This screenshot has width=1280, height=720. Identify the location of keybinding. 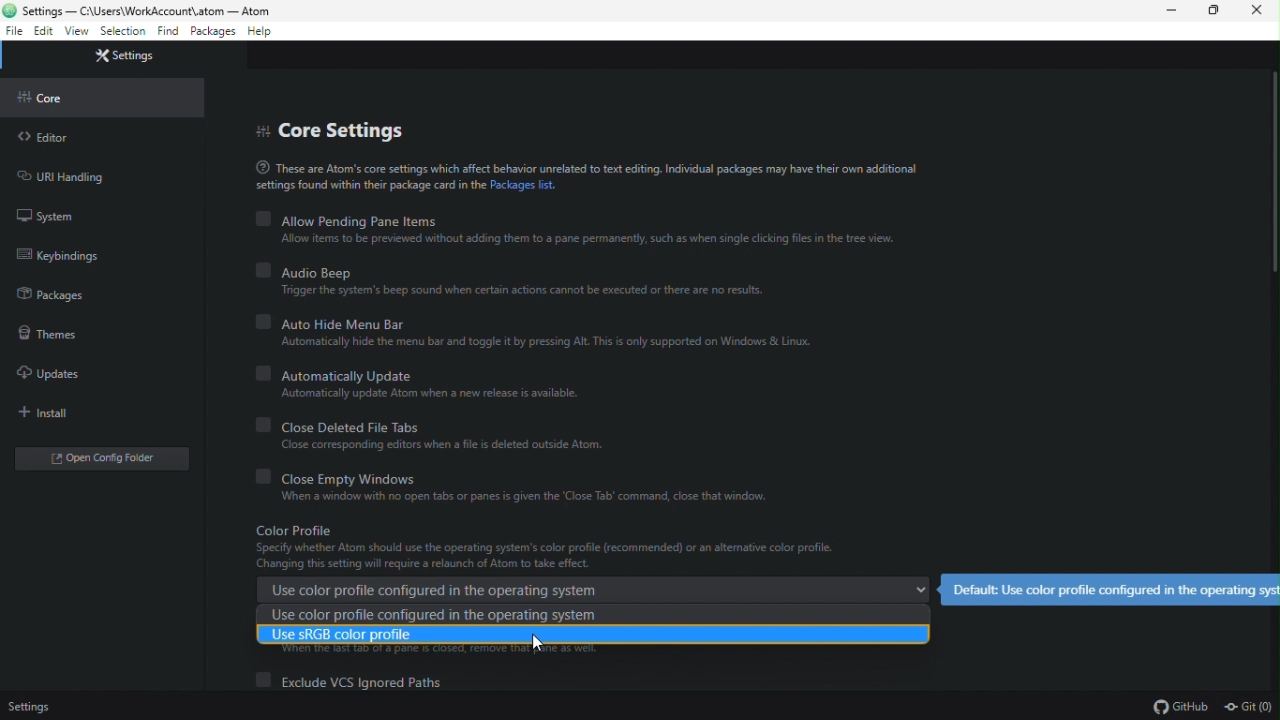
(64, 256).